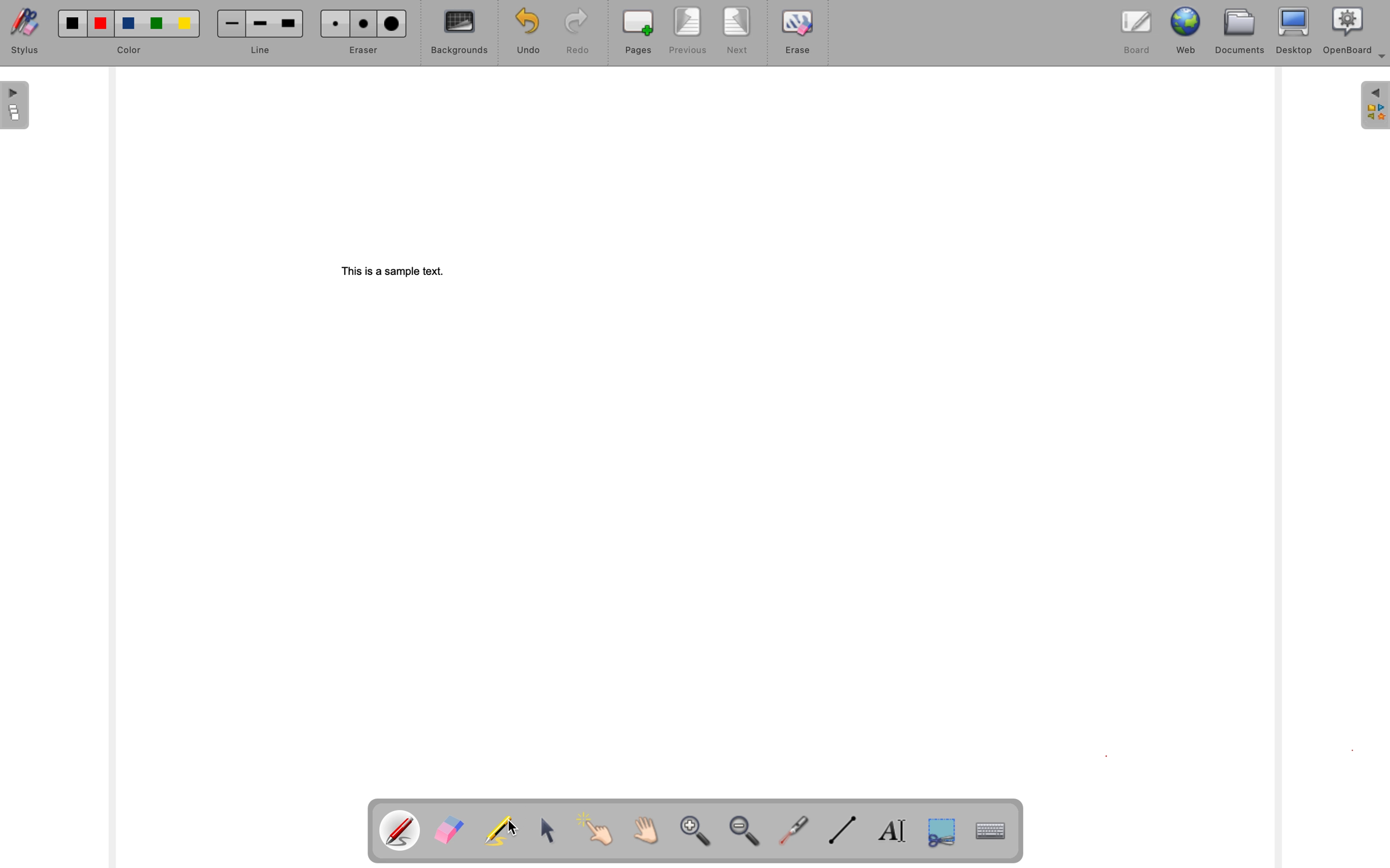  Describe the element at coordinates (798, 33) in the screenshot. I see `erase` at that location.